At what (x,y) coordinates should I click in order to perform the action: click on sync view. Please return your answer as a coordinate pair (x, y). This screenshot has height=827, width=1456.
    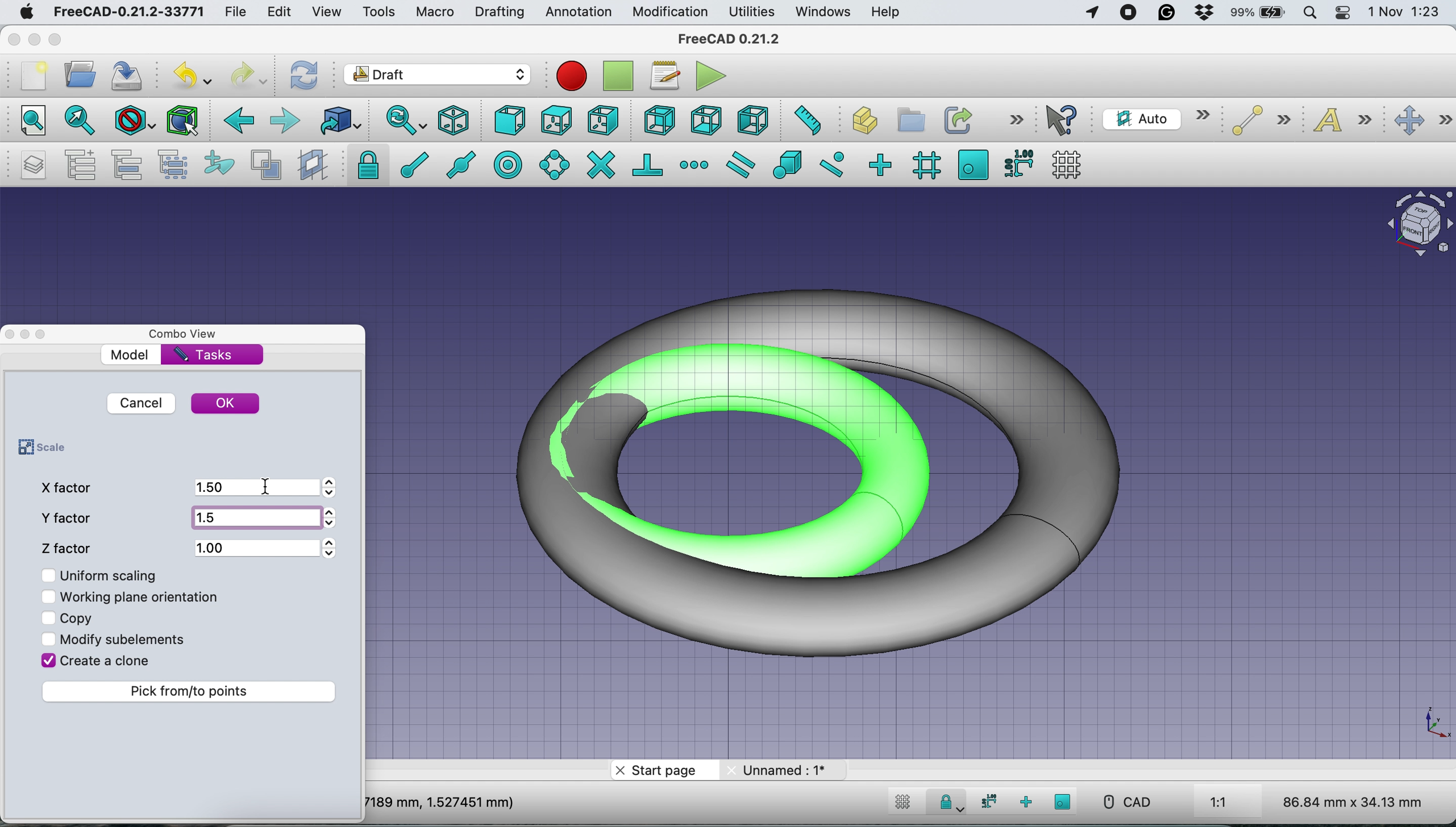
    Looking at the image, I should click on (405, 120).